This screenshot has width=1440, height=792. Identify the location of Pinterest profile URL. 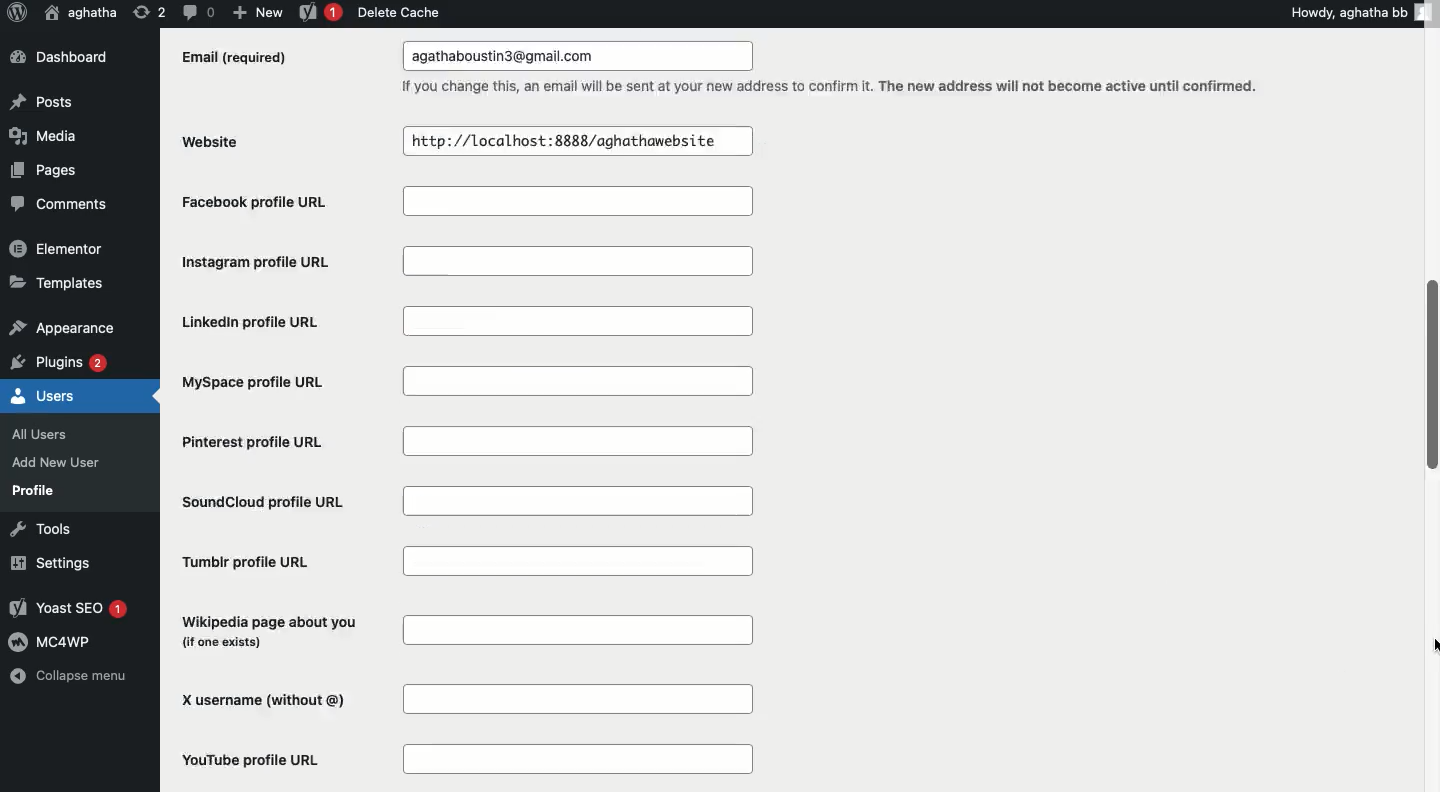
(459, 442).